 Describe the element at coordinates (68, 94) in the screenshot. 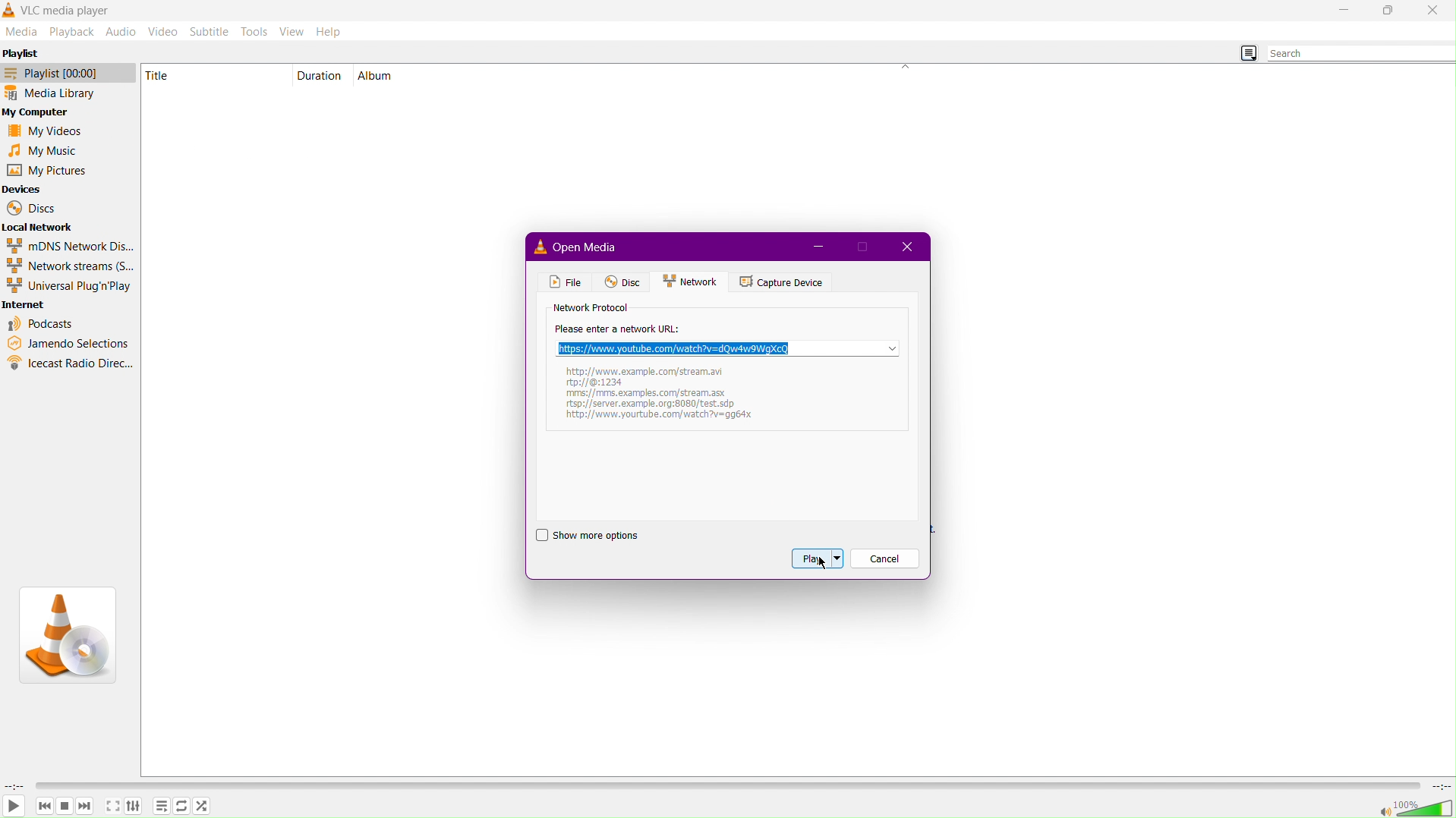

I see `Media Library` at that location.